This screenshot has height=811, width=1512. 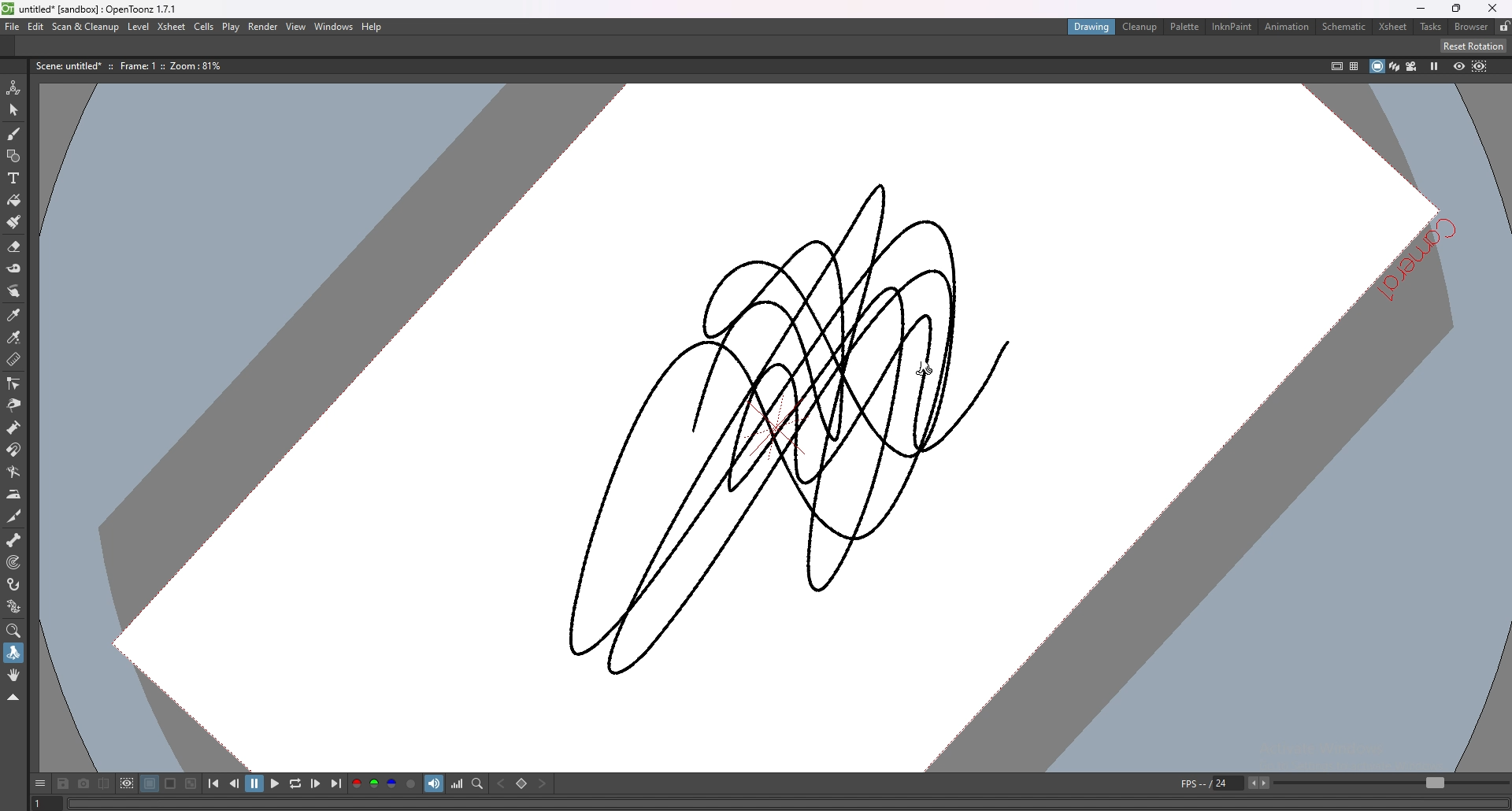 I want to click on rotate, so click(x=13, y=654).